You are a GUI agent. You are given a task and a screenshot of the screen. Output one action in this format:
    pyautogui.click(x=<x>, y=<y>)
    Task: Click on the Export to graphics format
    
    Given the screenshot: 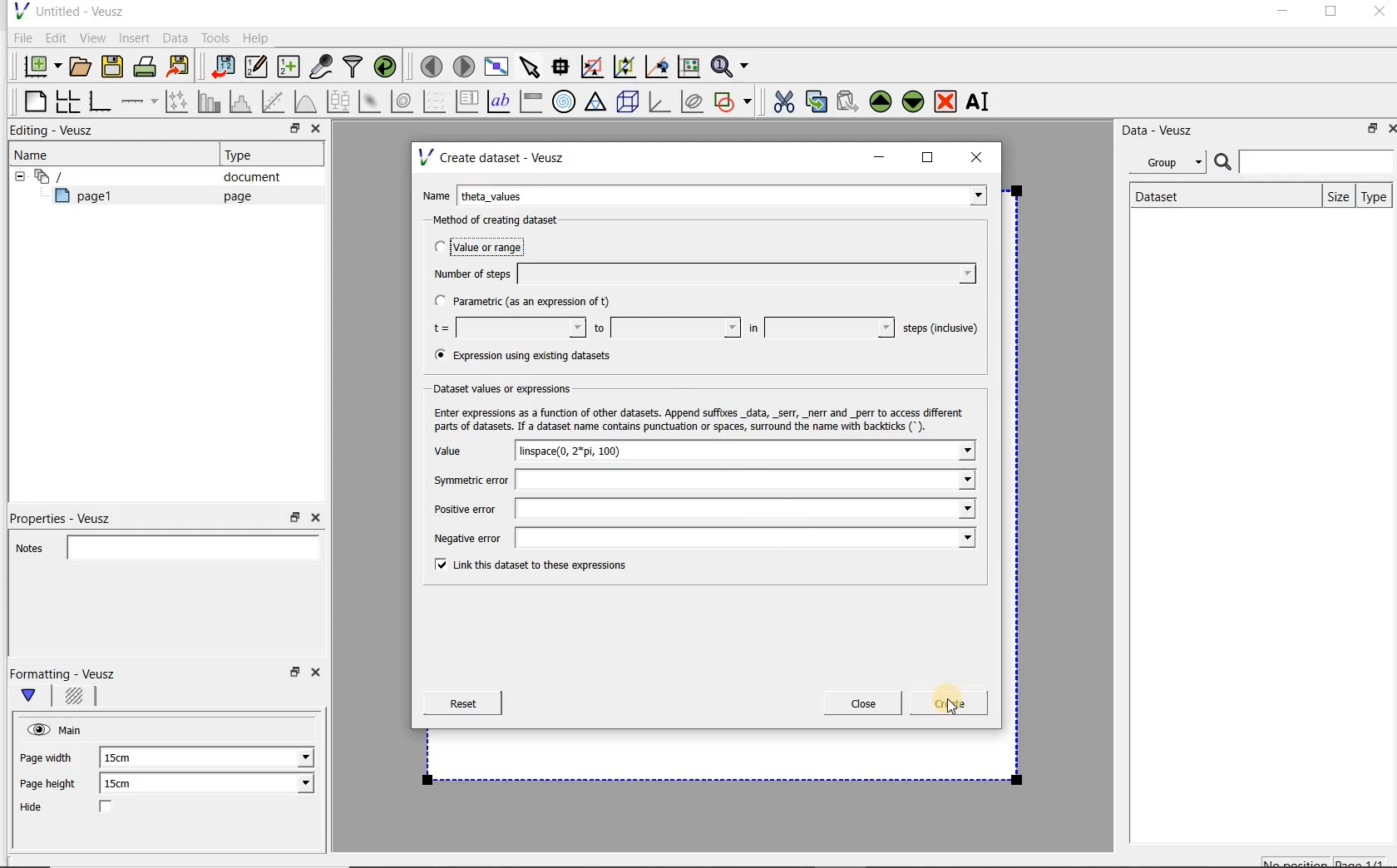 What is the action you would take?
    pyautogui.click(x=179, y=68)
    